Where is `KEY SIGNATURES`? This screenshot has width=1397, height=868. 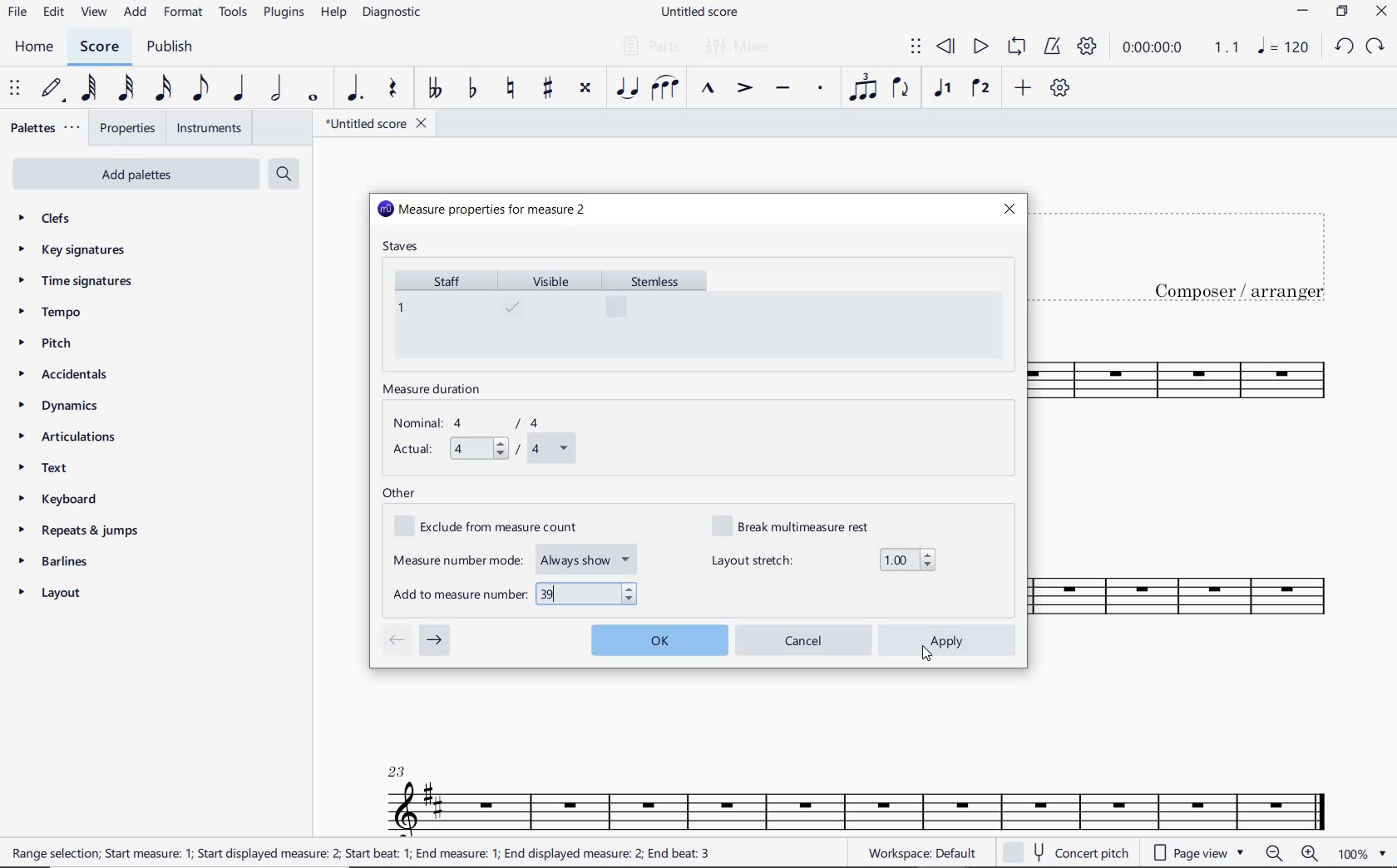 KEY SIGNATURES is located at coordinates (77, 249).